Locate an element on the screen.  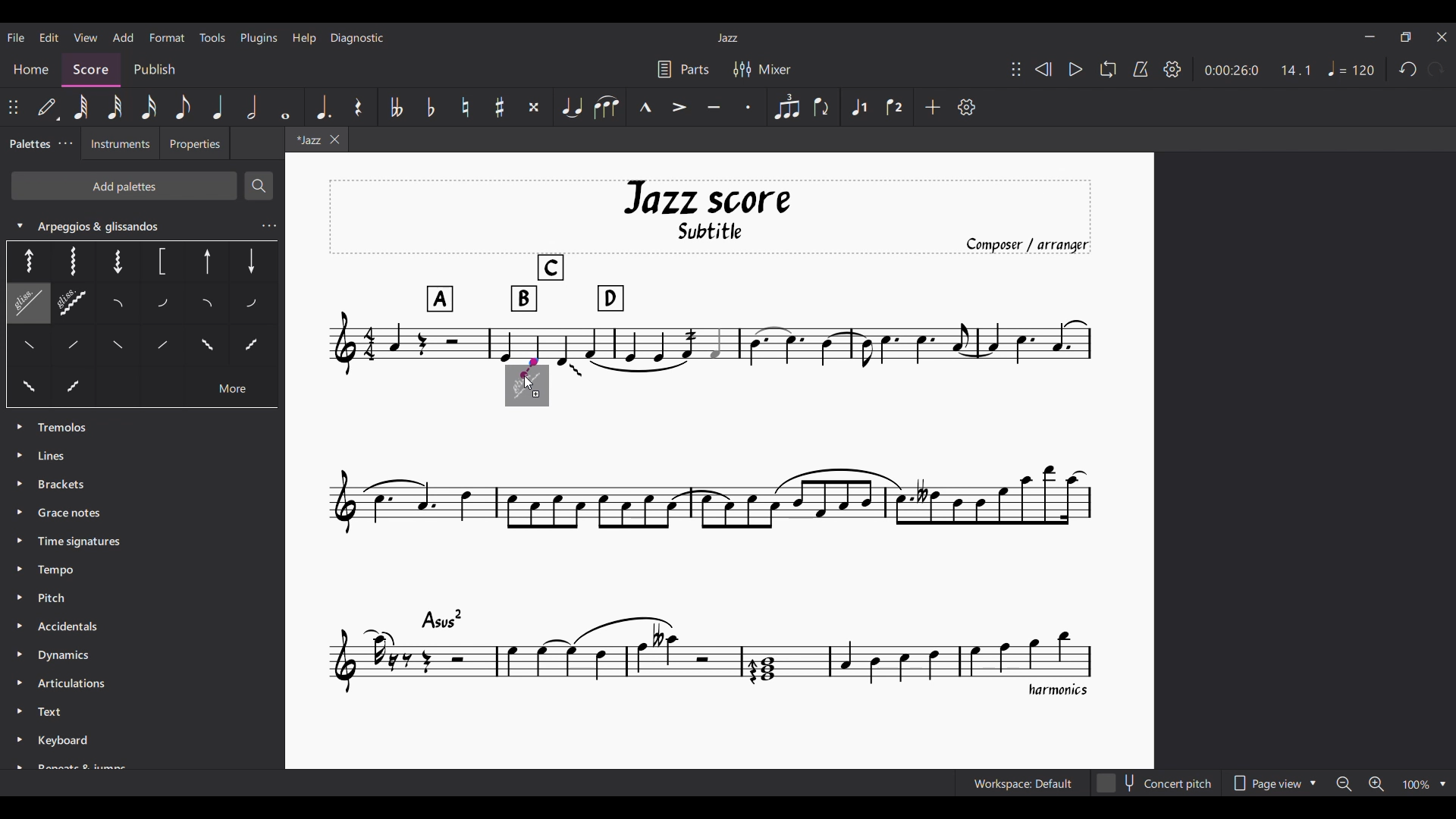
Home is located at coordinates (34, 67).